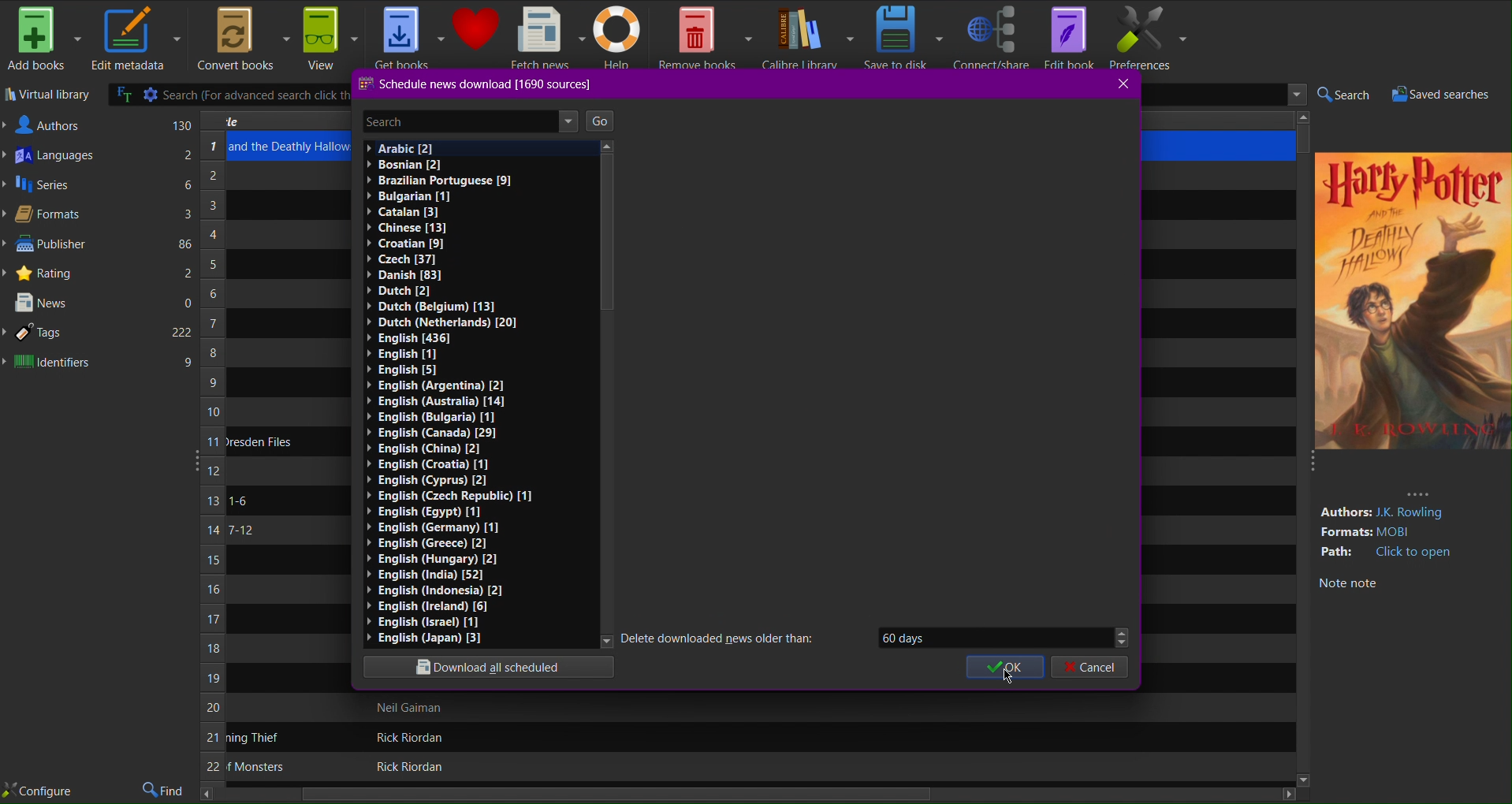 This screenshot has height=804, width=1512. I want to click on Close, so click(1124, 84).